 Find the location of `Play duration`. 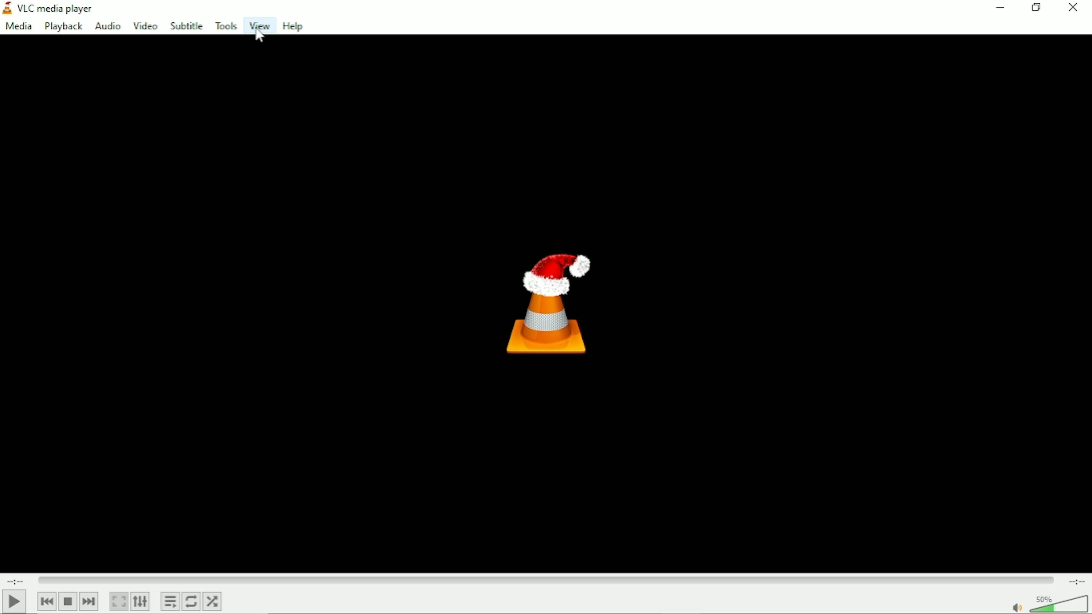

Play duration is located at coordinates (544, 578).